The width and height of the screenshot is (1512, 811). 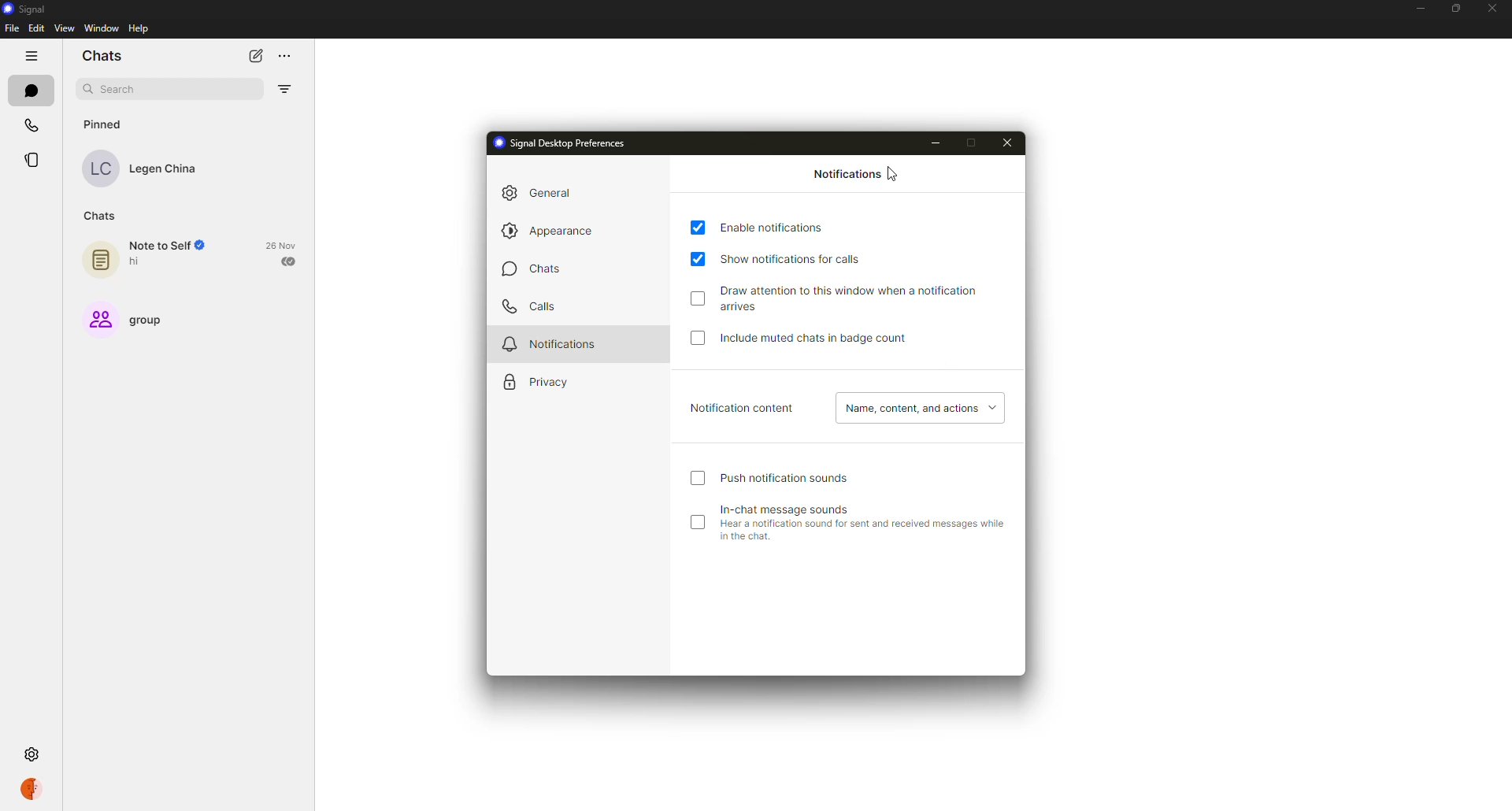 What do you see at coordinates (141, 28) in the screenshot?
I see `help` at bounding box center [141, 28].